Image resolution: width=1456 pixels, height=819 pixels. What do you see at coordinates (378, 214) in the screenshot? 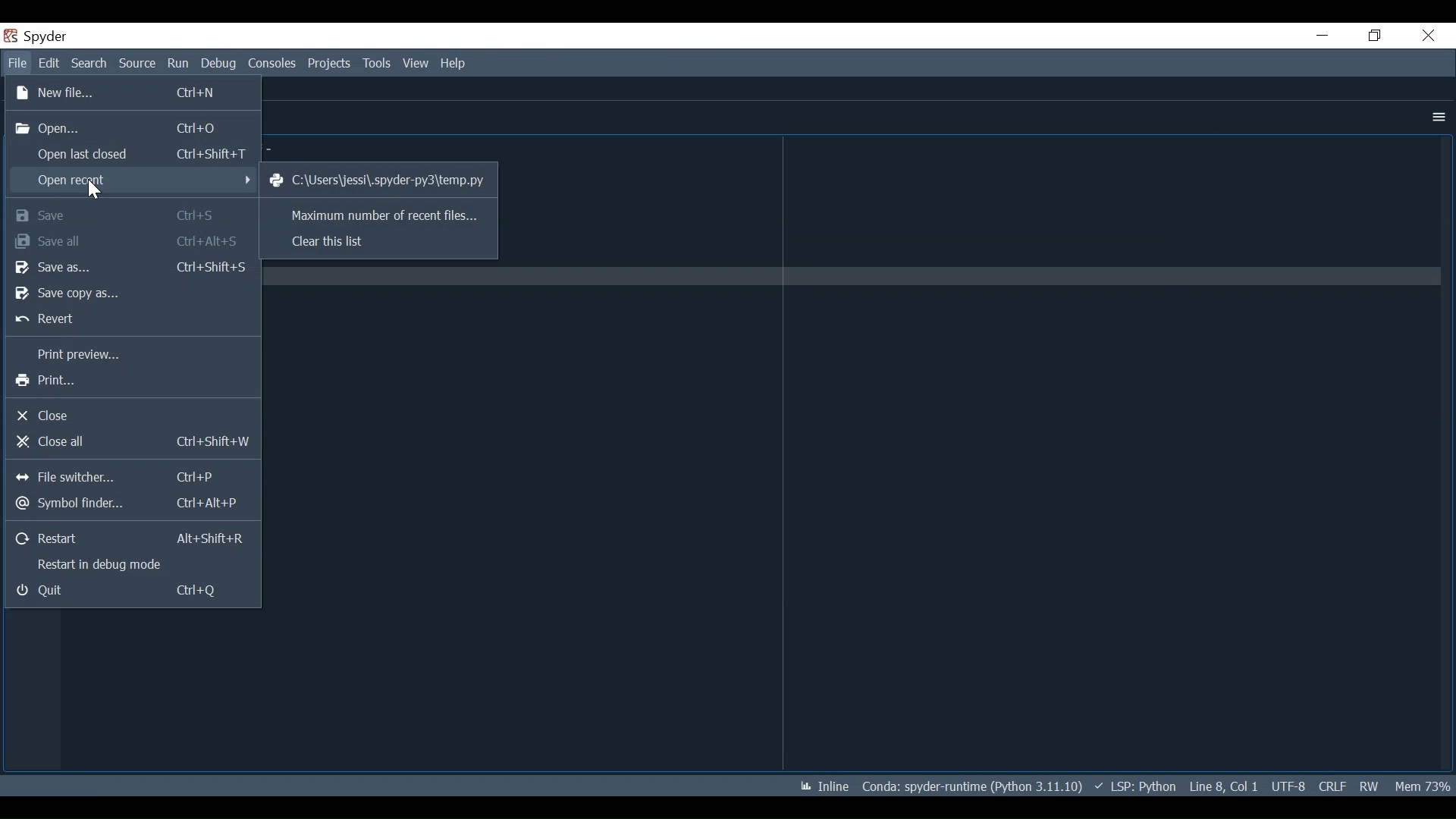
I see `Maximum number of recent files` at bounding box center [378, 214].